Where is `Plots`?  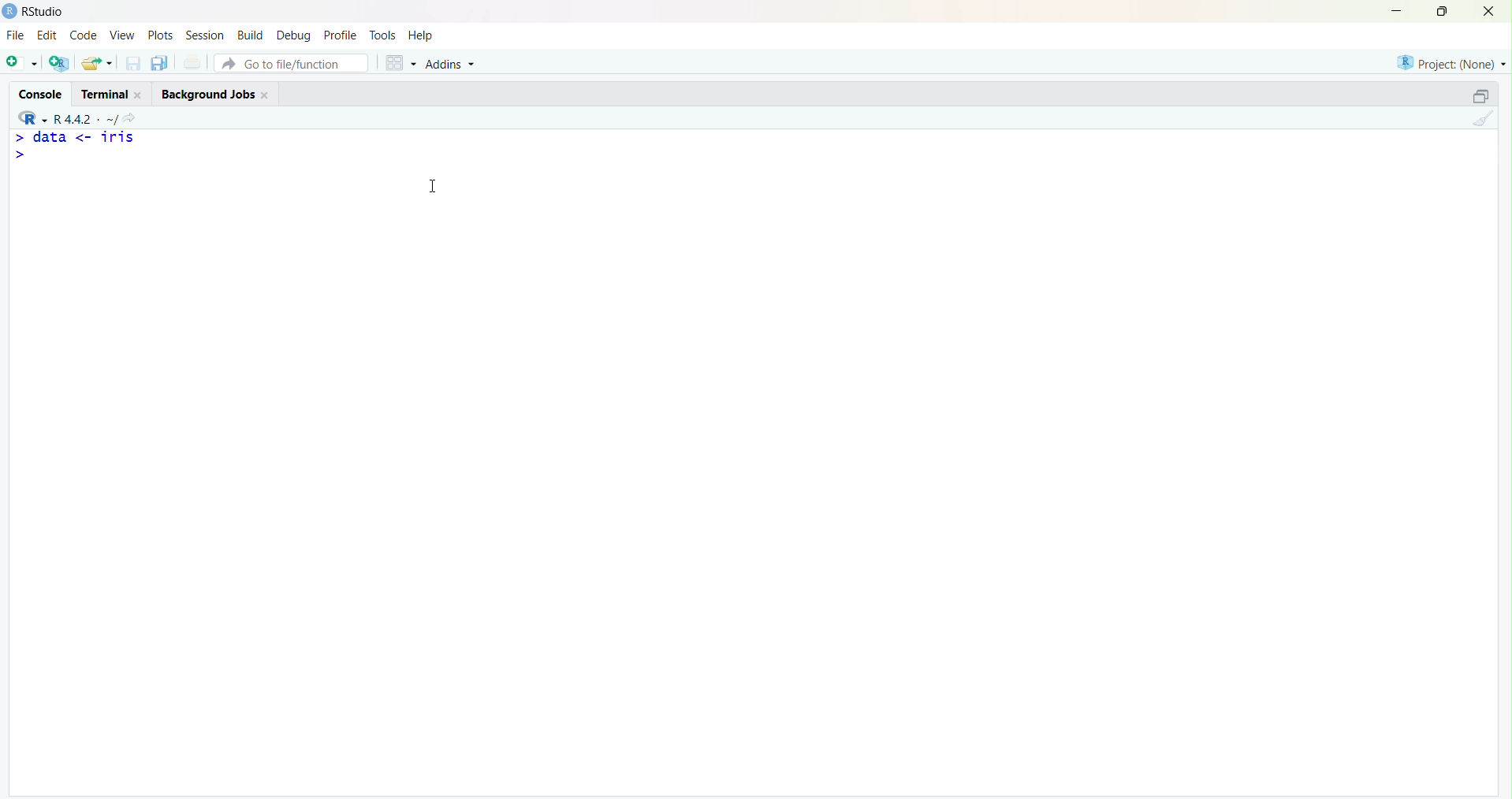
Plots is located at coordinates (160, 35).